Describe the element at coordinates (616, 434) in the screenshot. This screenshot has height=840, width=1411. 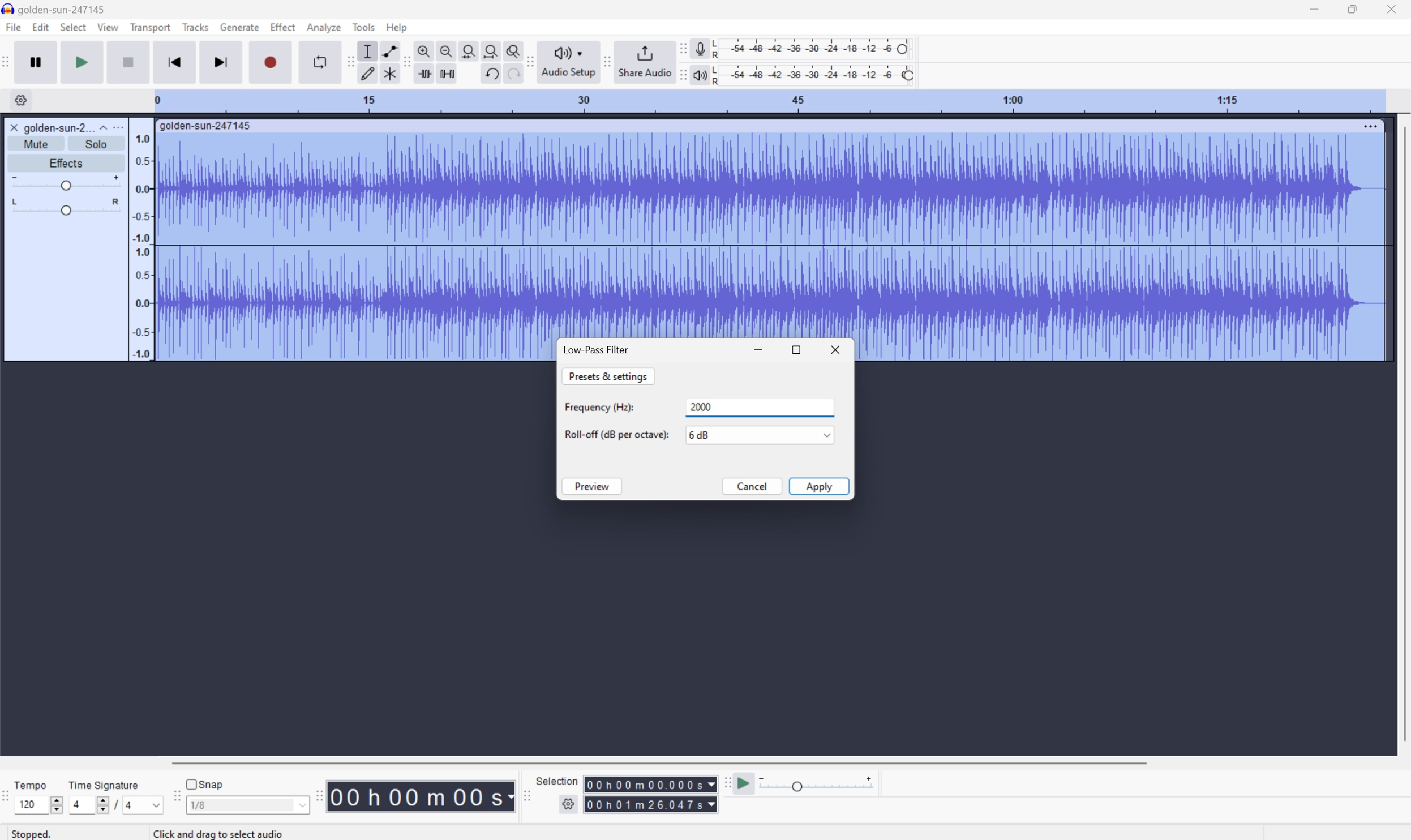
I see `Roll-off (dB per octave):` at that location.